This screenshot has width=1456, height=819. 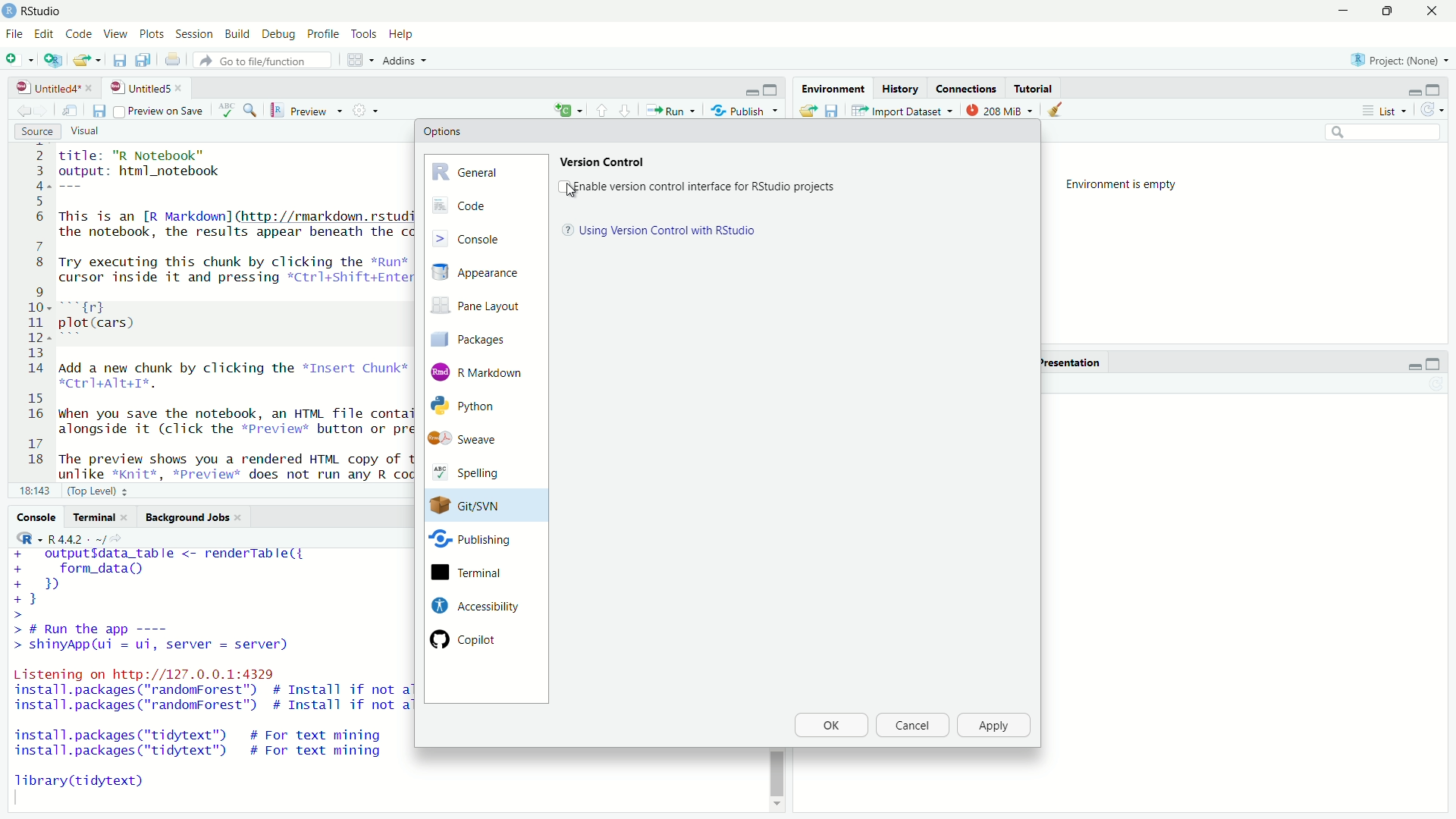 I want to click on vertical scrollbar, so click(x=777, y=773).